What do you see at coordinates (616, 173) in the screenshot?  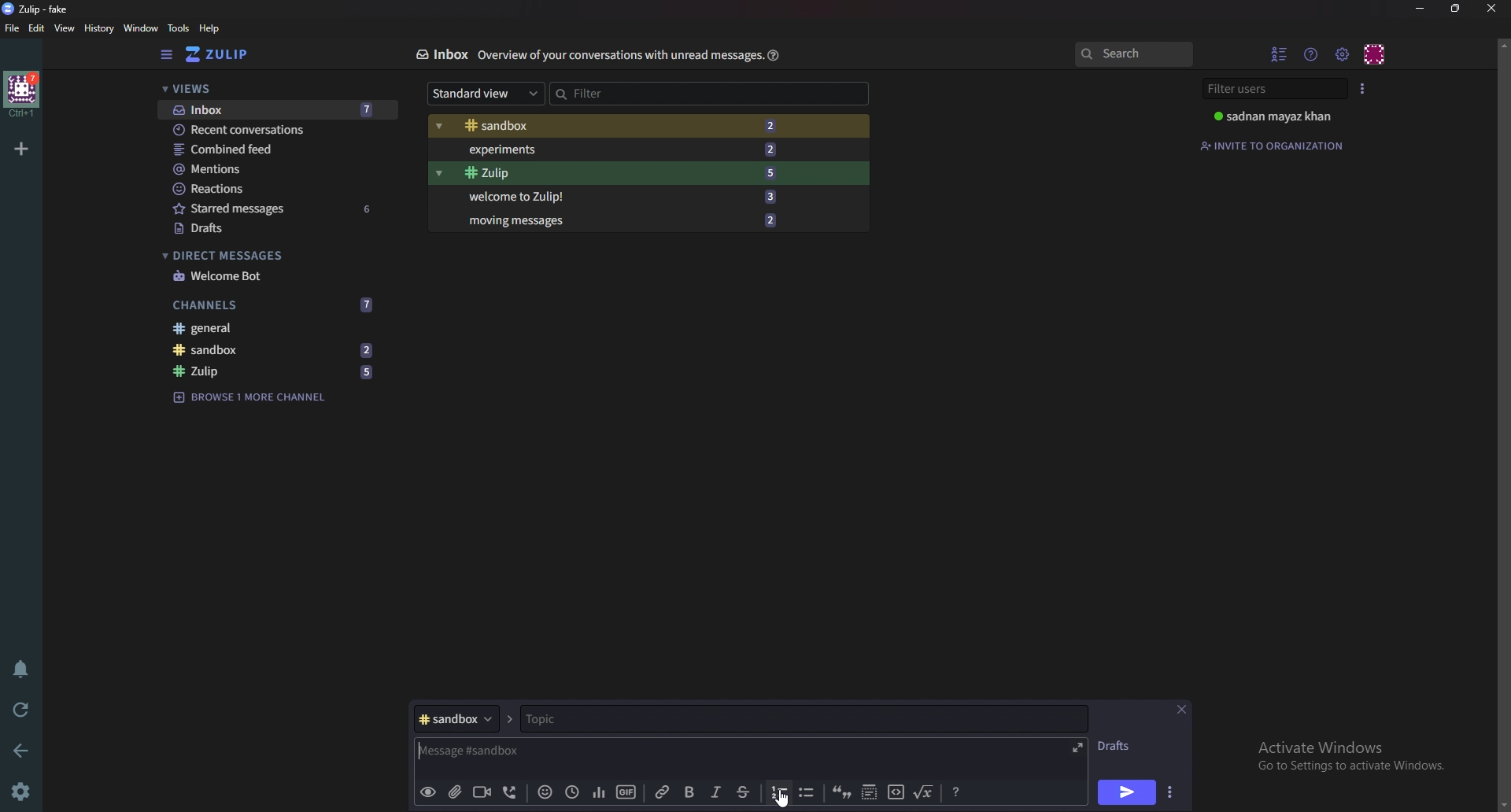 I see `Zulip` at bounding box center [616, 173].